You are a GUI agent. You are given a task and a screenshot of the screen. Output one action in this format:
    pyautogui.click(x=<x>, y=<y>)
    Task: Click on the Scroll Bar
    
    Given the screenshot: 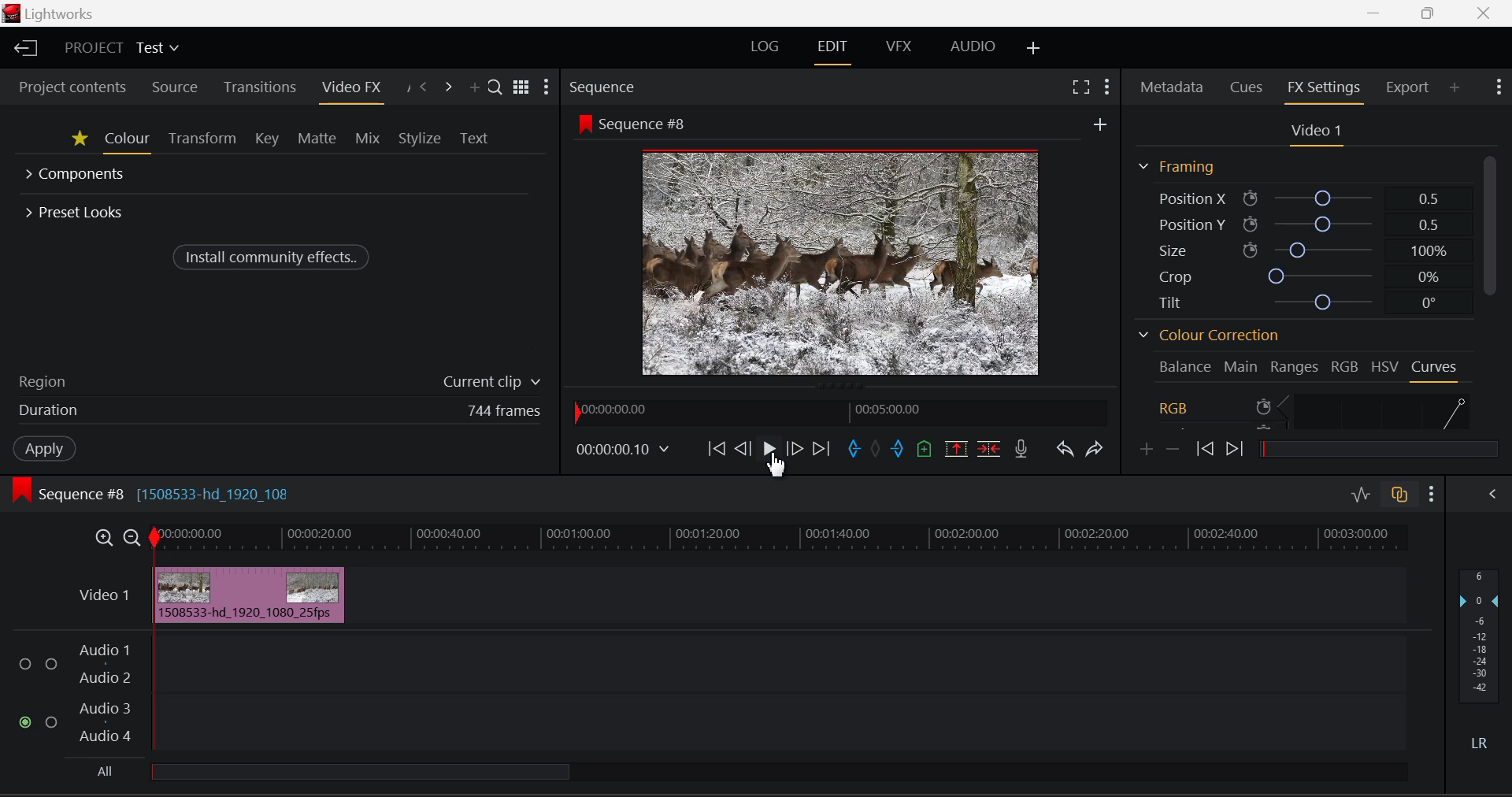 What is the action you would take?
    pyautogui.click(x=1494, y=294)
    